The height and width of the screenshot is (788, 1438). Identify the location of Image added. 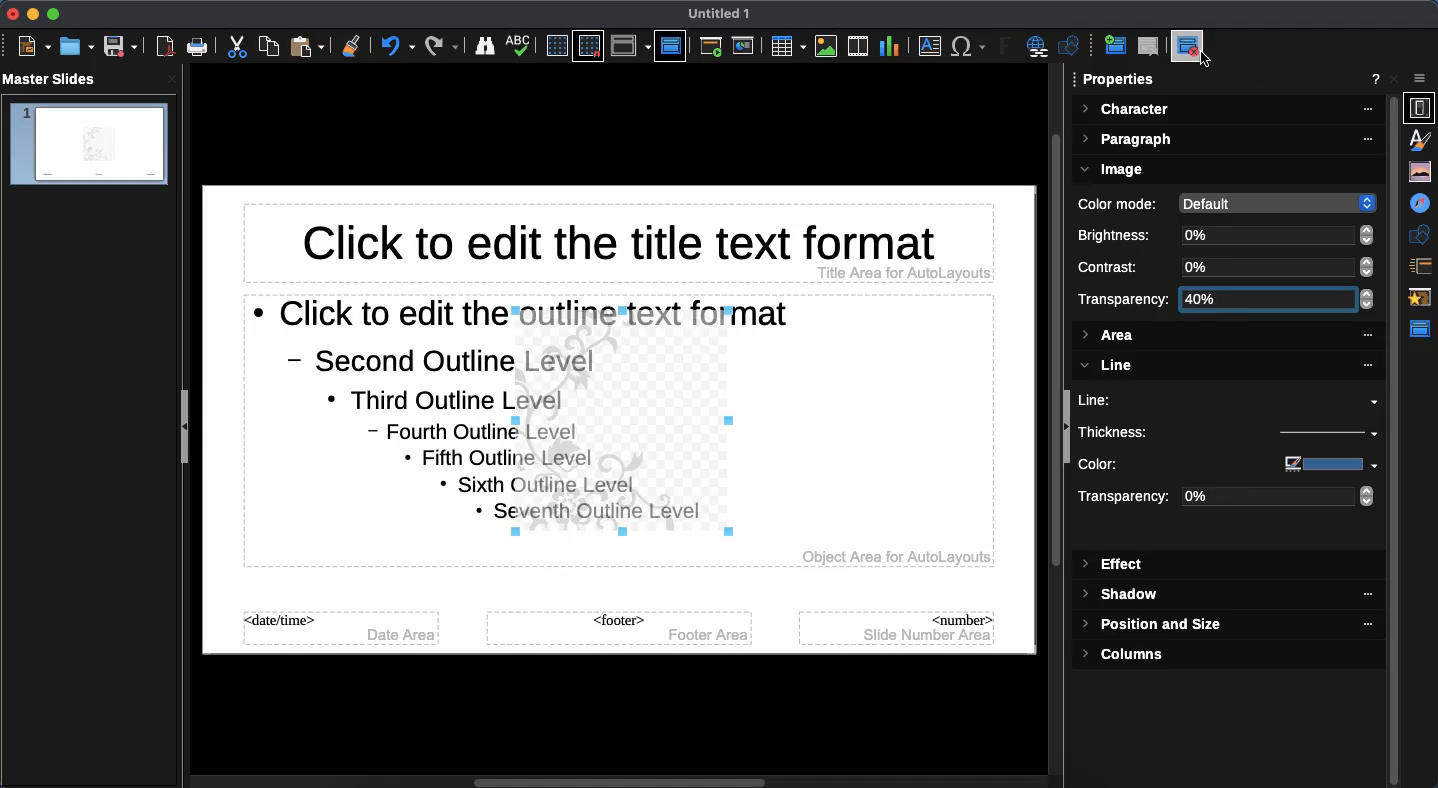
(628, 428).